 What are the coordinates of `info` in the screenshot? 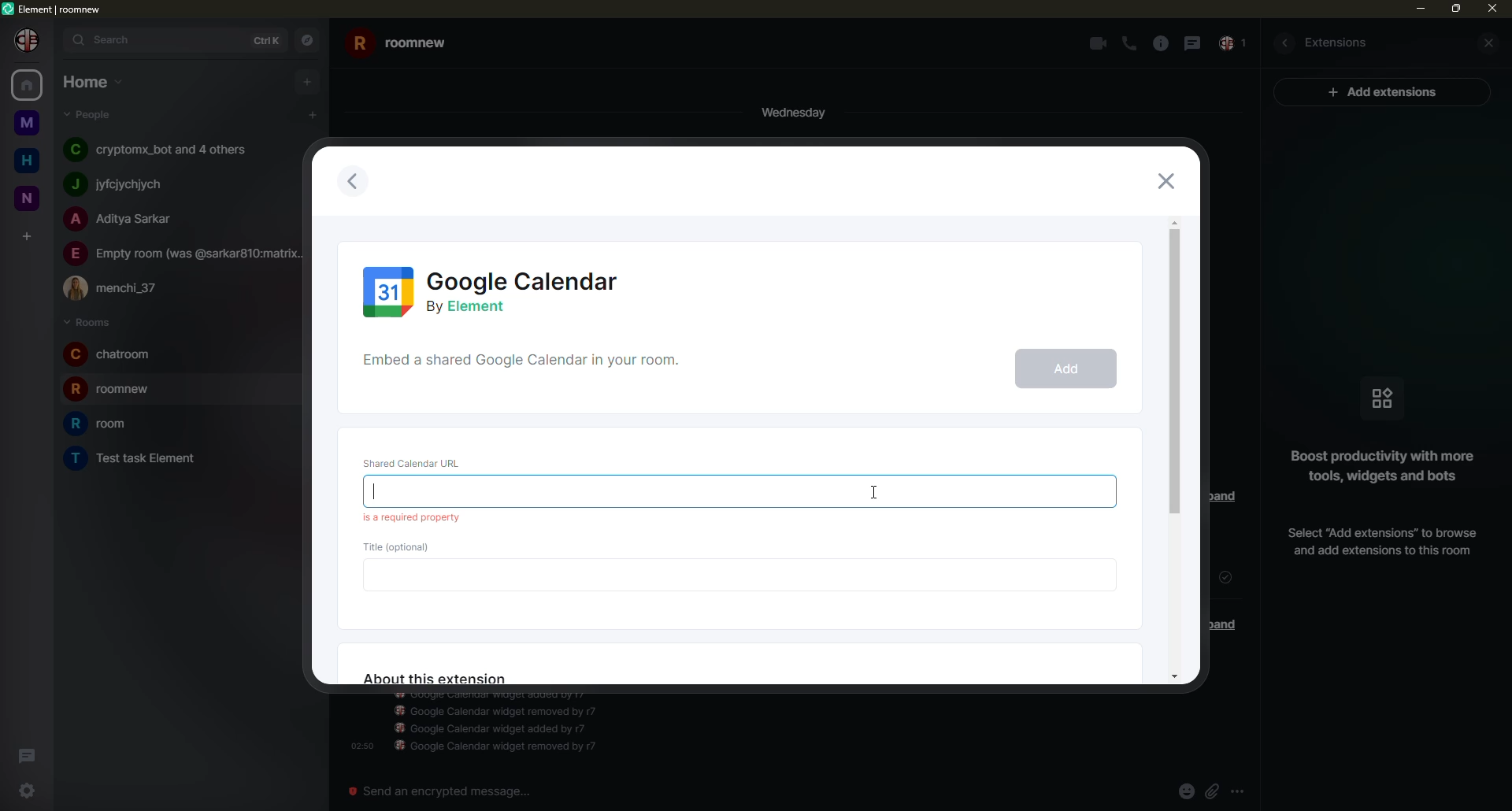 It's located at (1377, 467).